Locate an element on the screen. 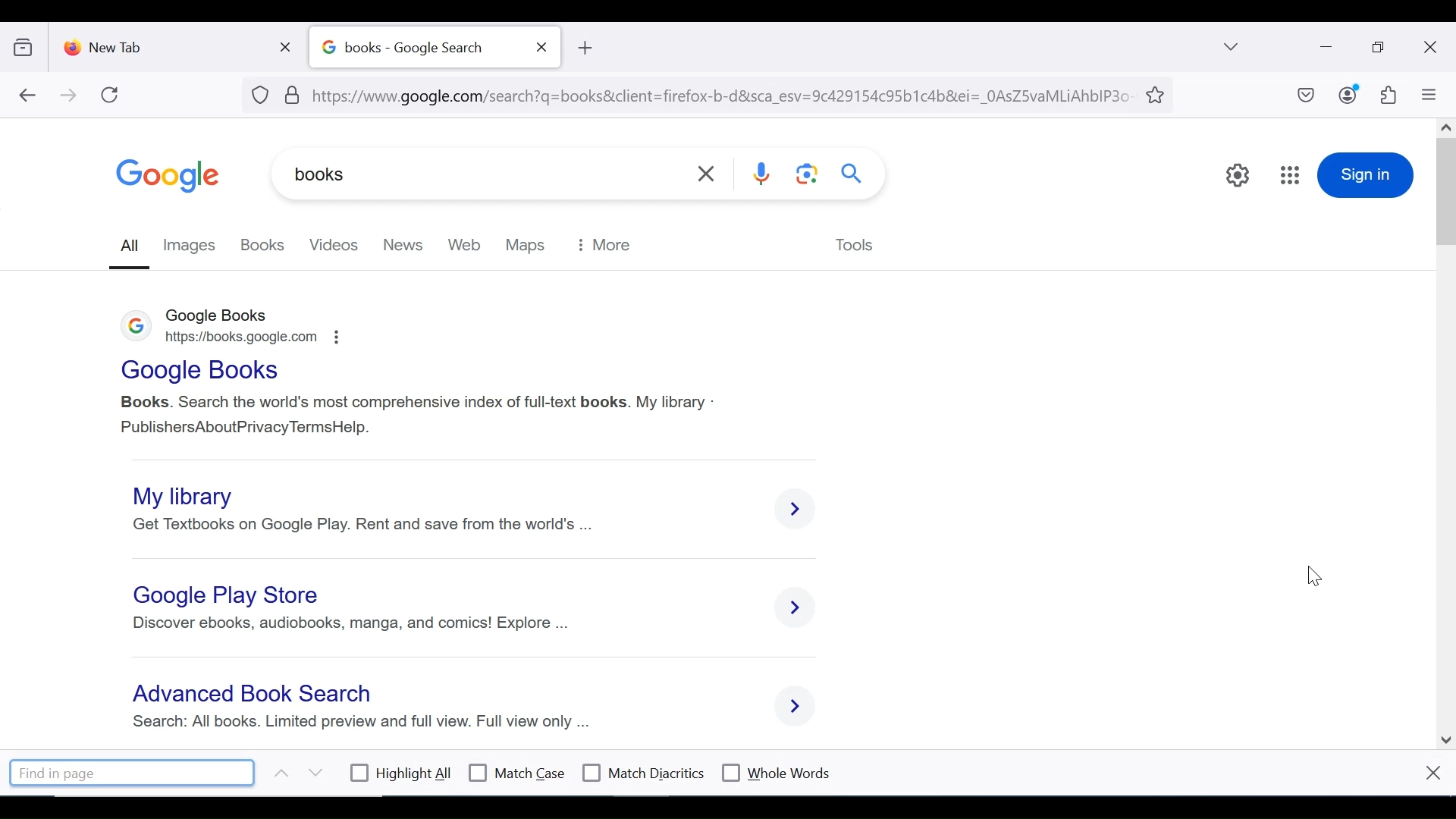  next is located at coordinates (315, 773).